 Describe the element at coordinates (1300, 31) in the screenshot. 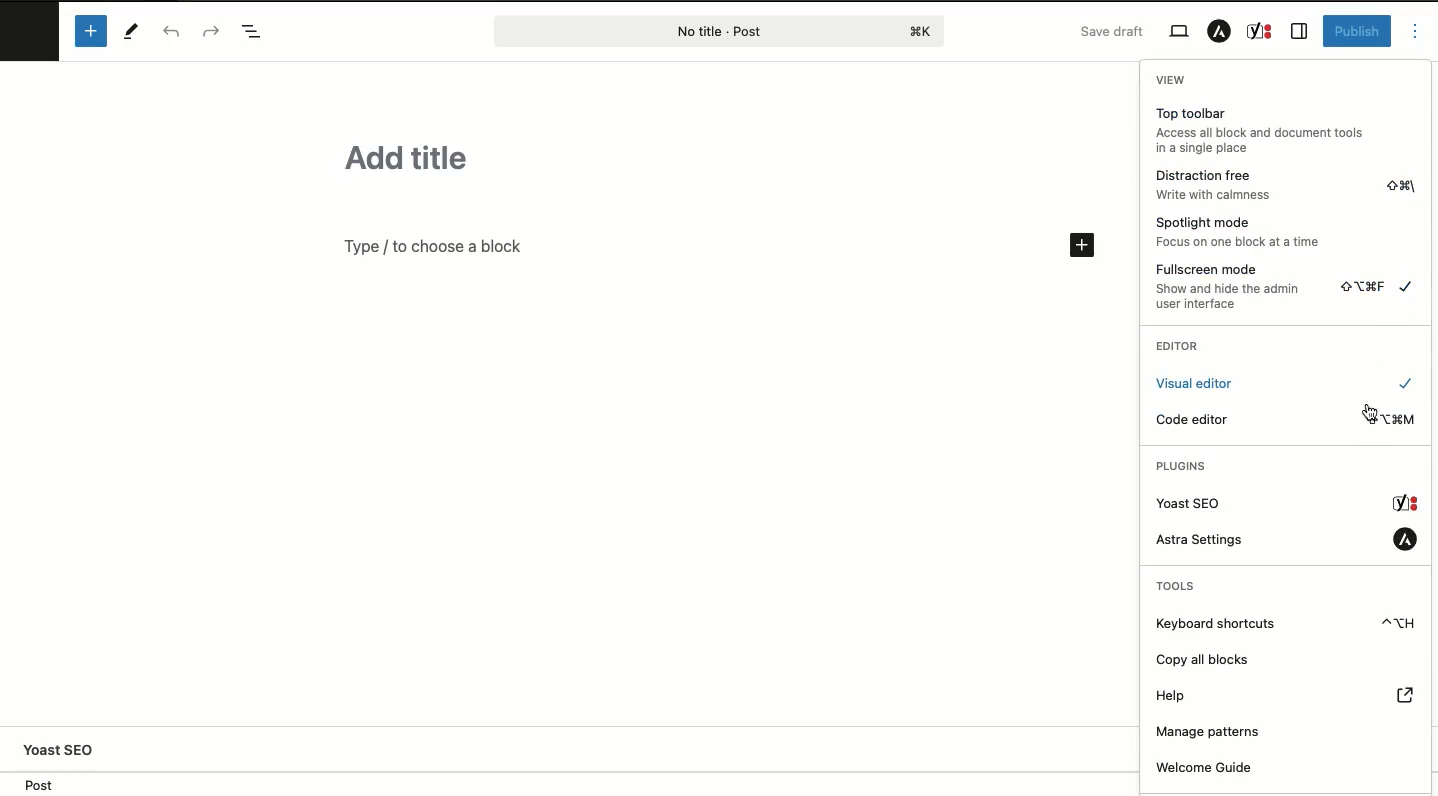

I see `Sidebar` at that location.